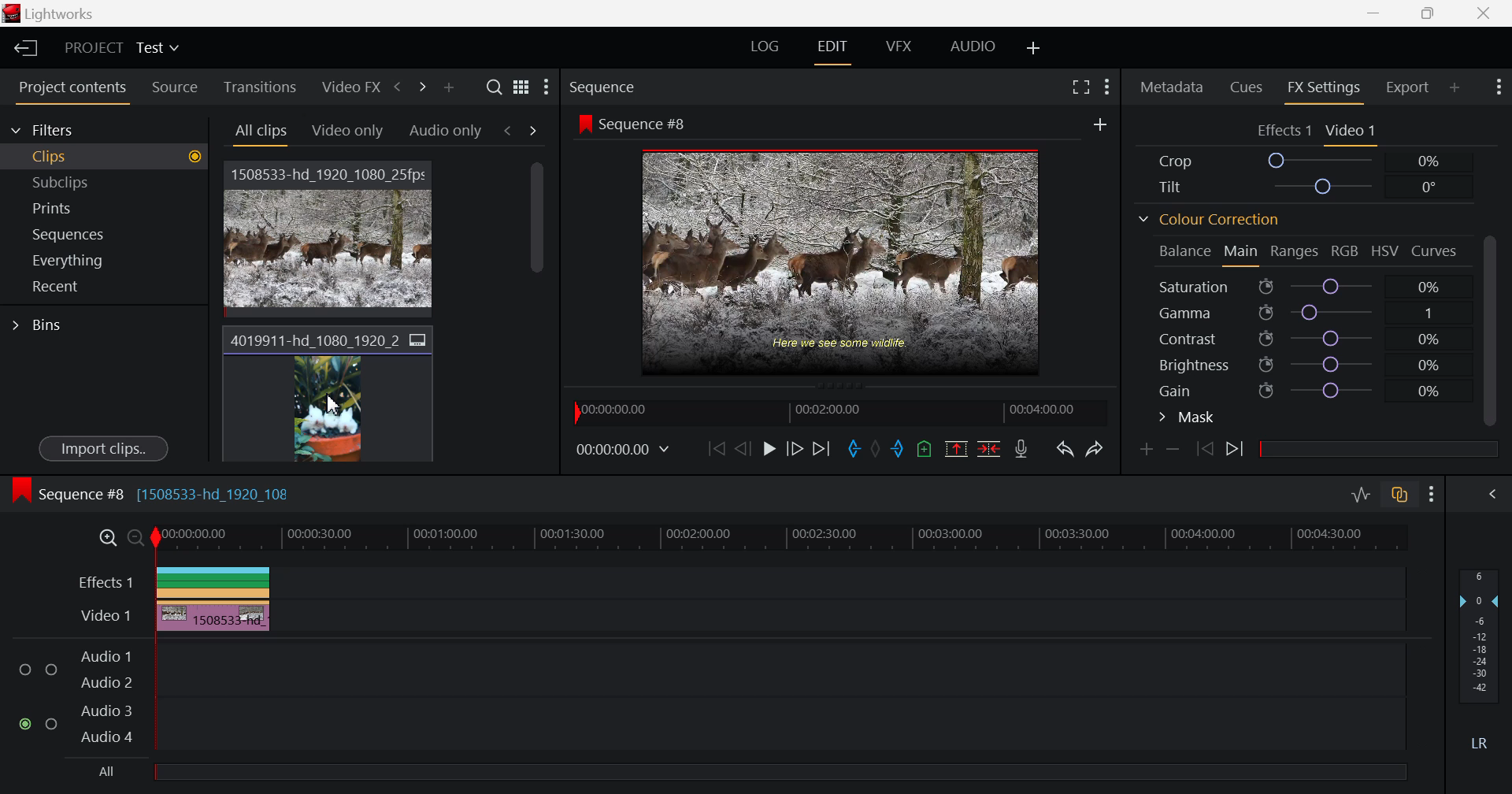  I want to click on Show Audio Mix, so click(1492, 493).